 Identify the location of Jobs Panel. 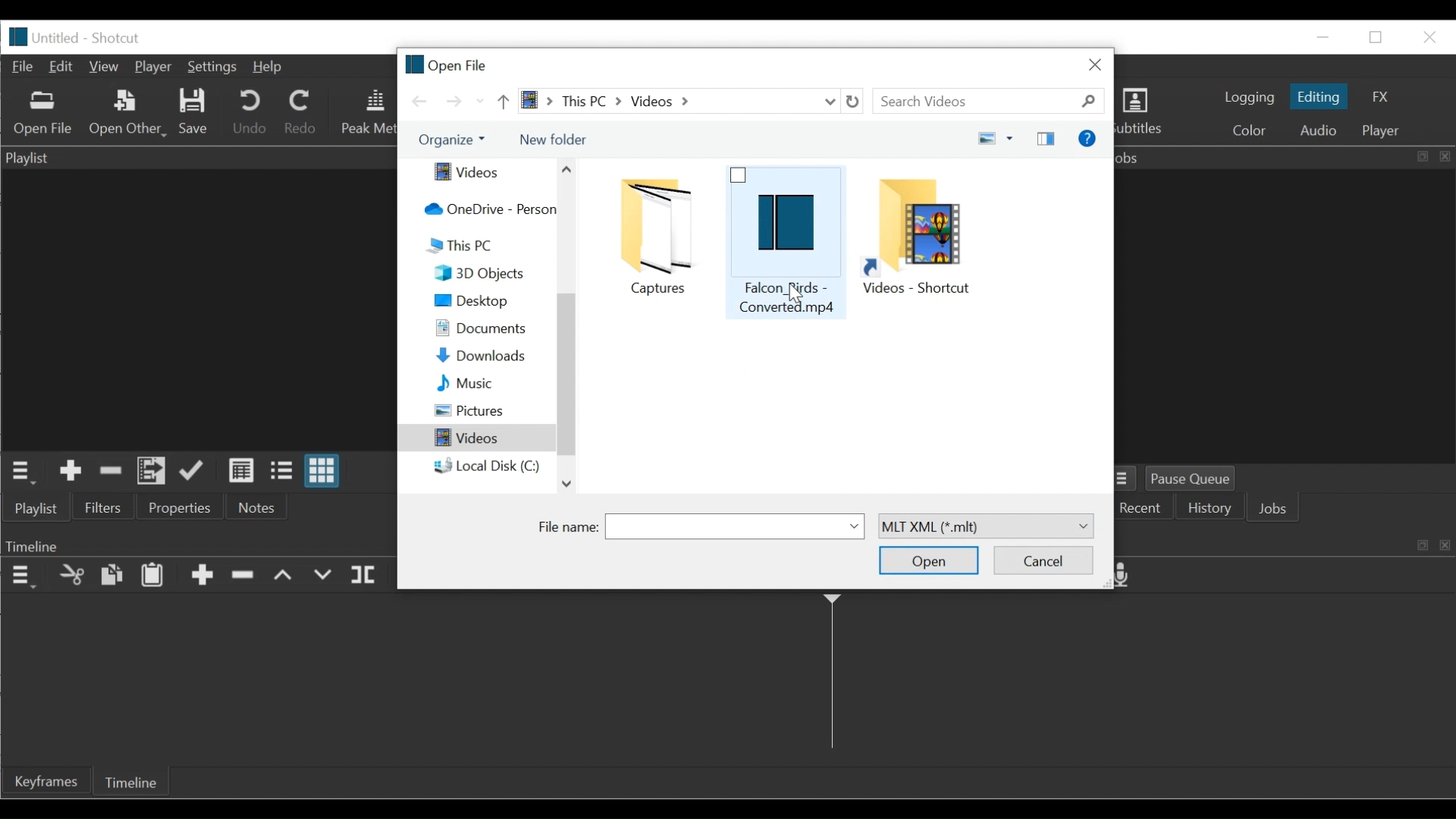
(1285, 157).